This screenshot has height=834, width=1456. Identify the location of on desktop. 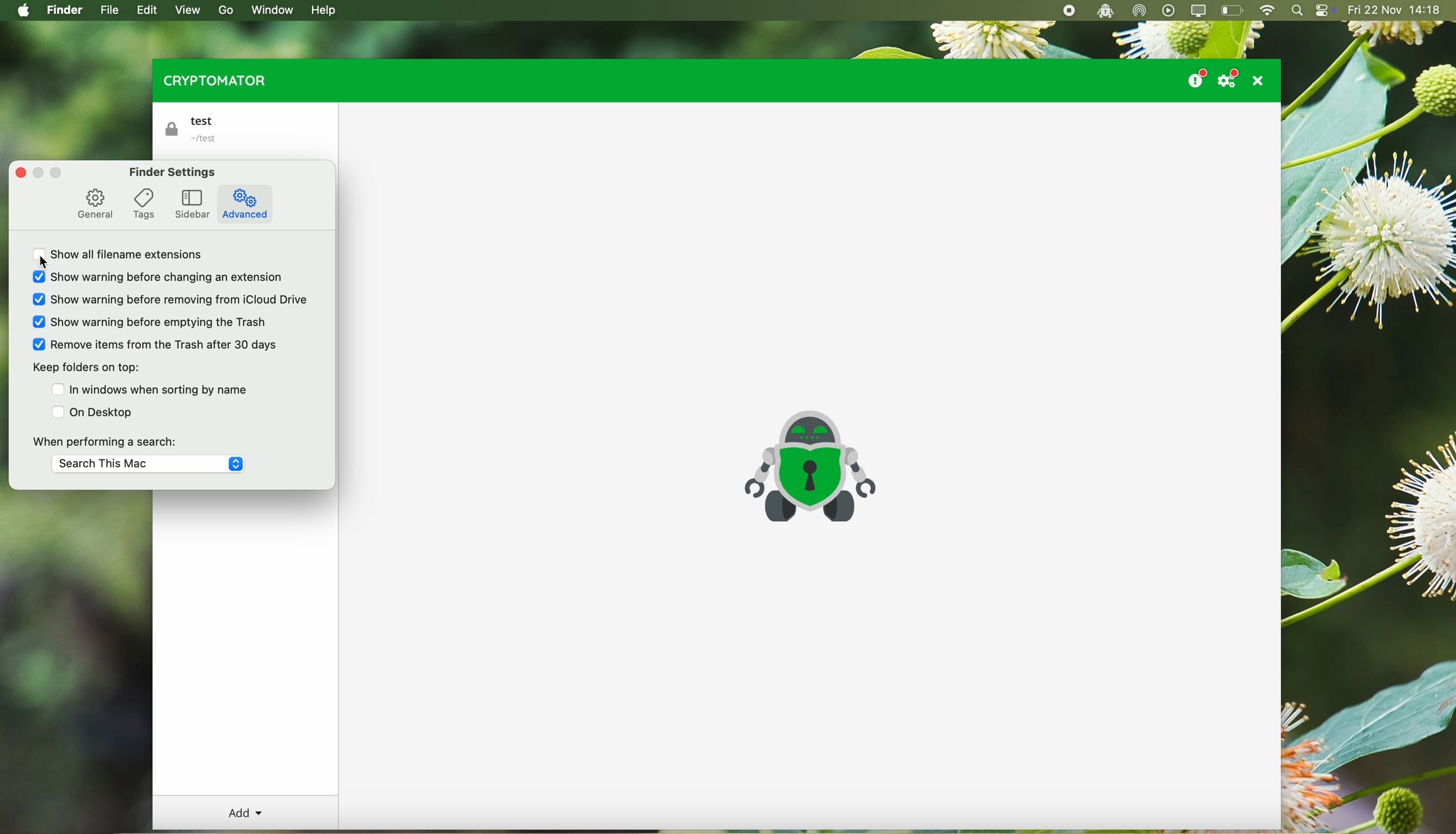
(94, 412).